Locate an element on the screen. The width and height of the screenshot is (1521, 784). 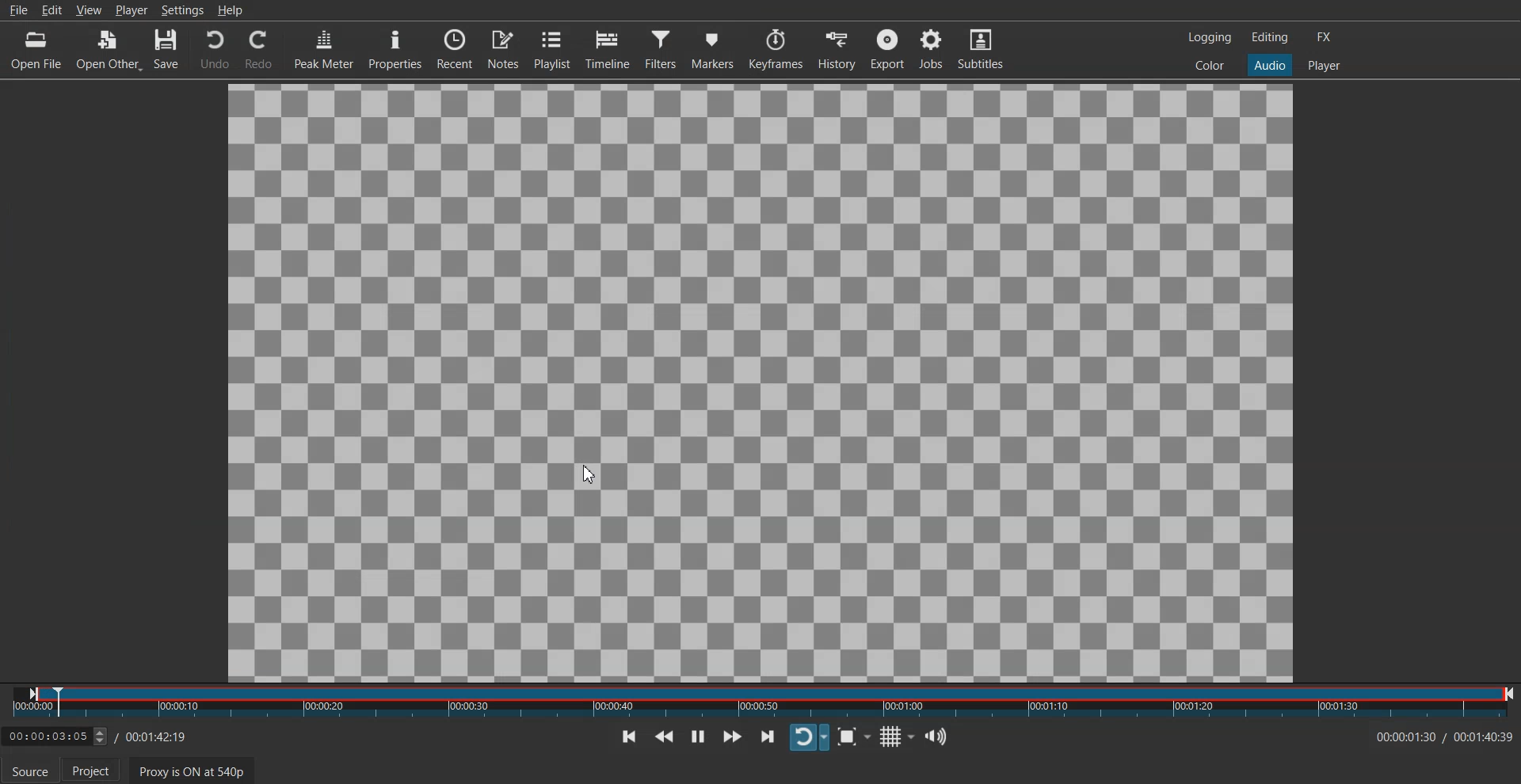
Project is located at coordinates (96, 771).